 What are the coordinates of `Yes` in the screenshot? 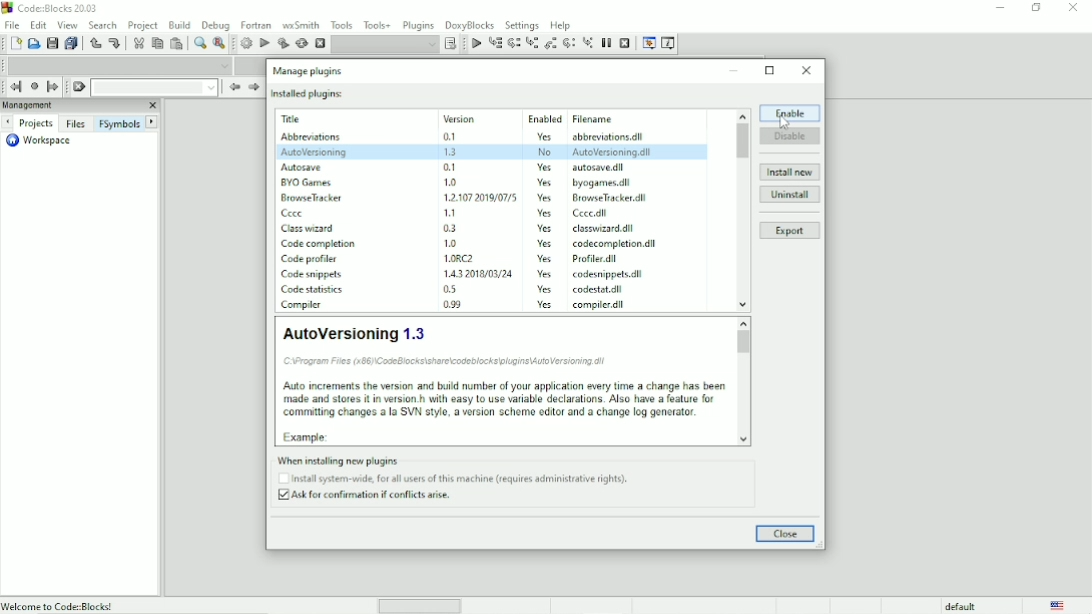 It's located at (545, 228).